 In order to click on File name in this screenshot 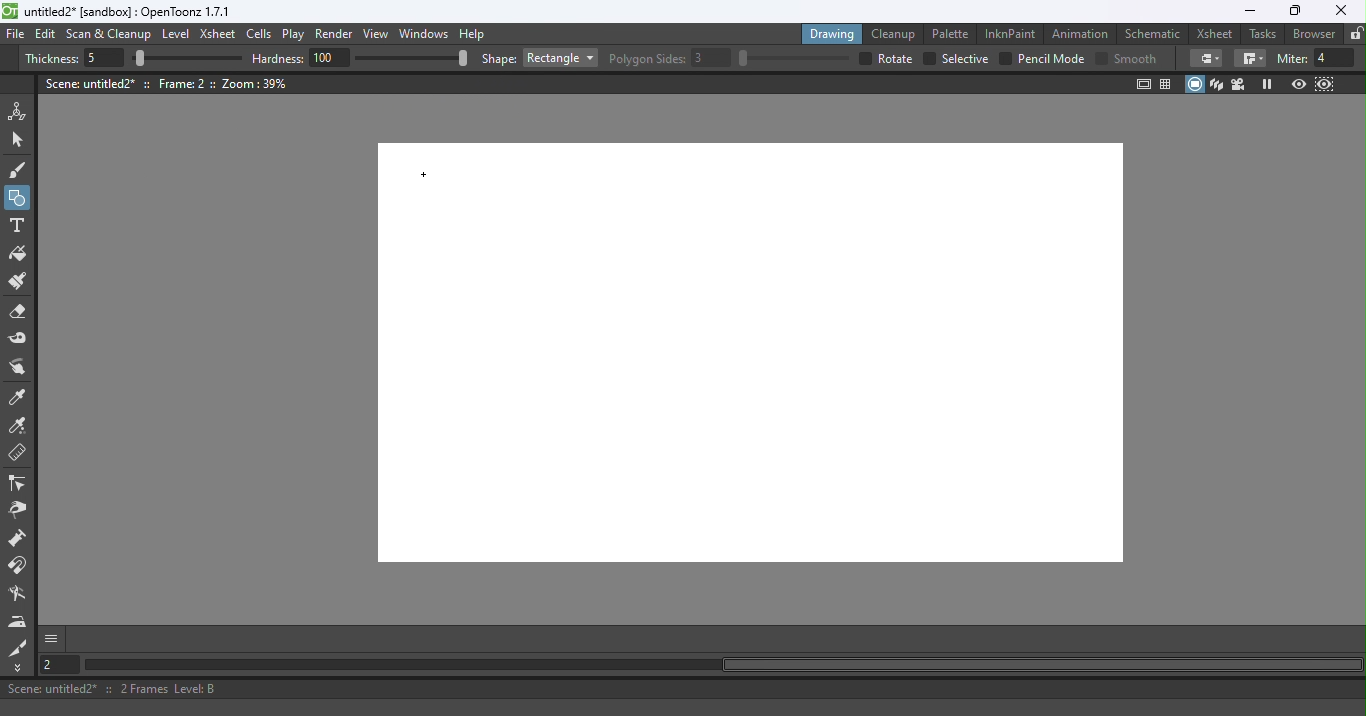, I will do `click(129, 12)`.